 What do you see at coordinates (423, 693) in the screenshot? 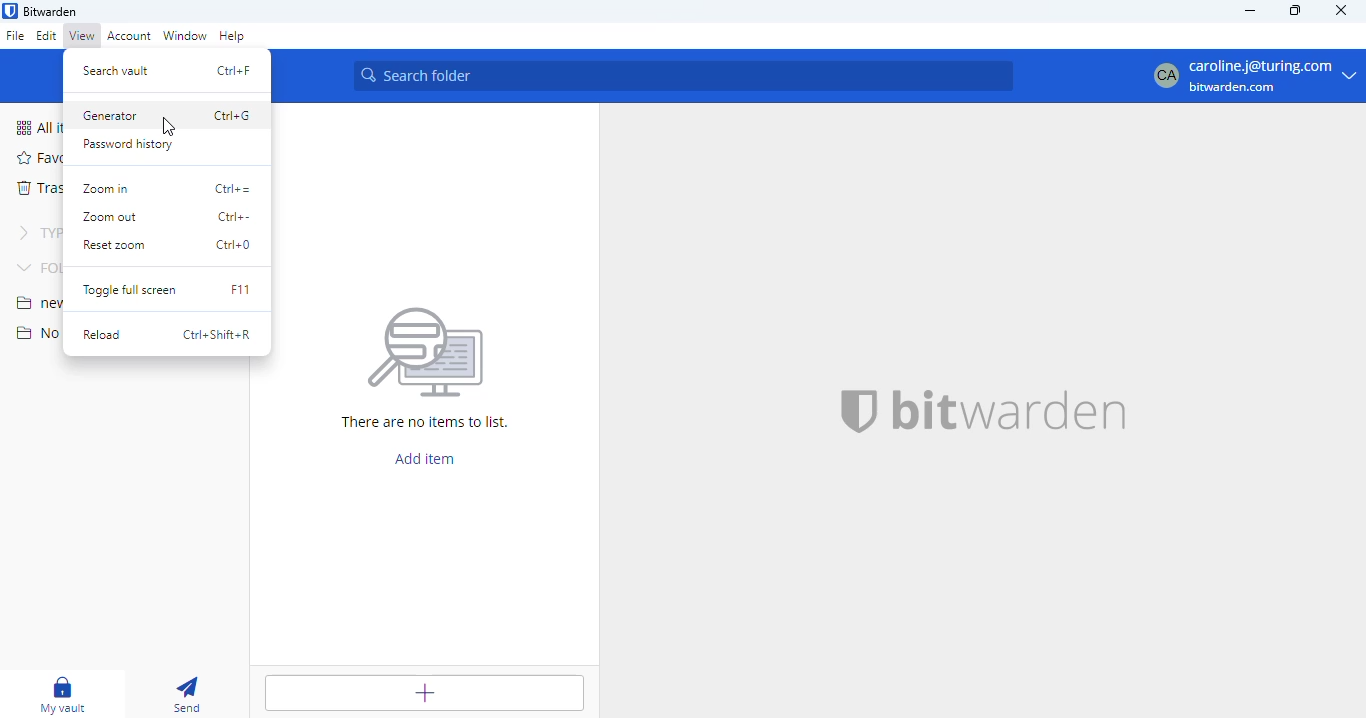
I see `add item` at bounding box center [423, 693].